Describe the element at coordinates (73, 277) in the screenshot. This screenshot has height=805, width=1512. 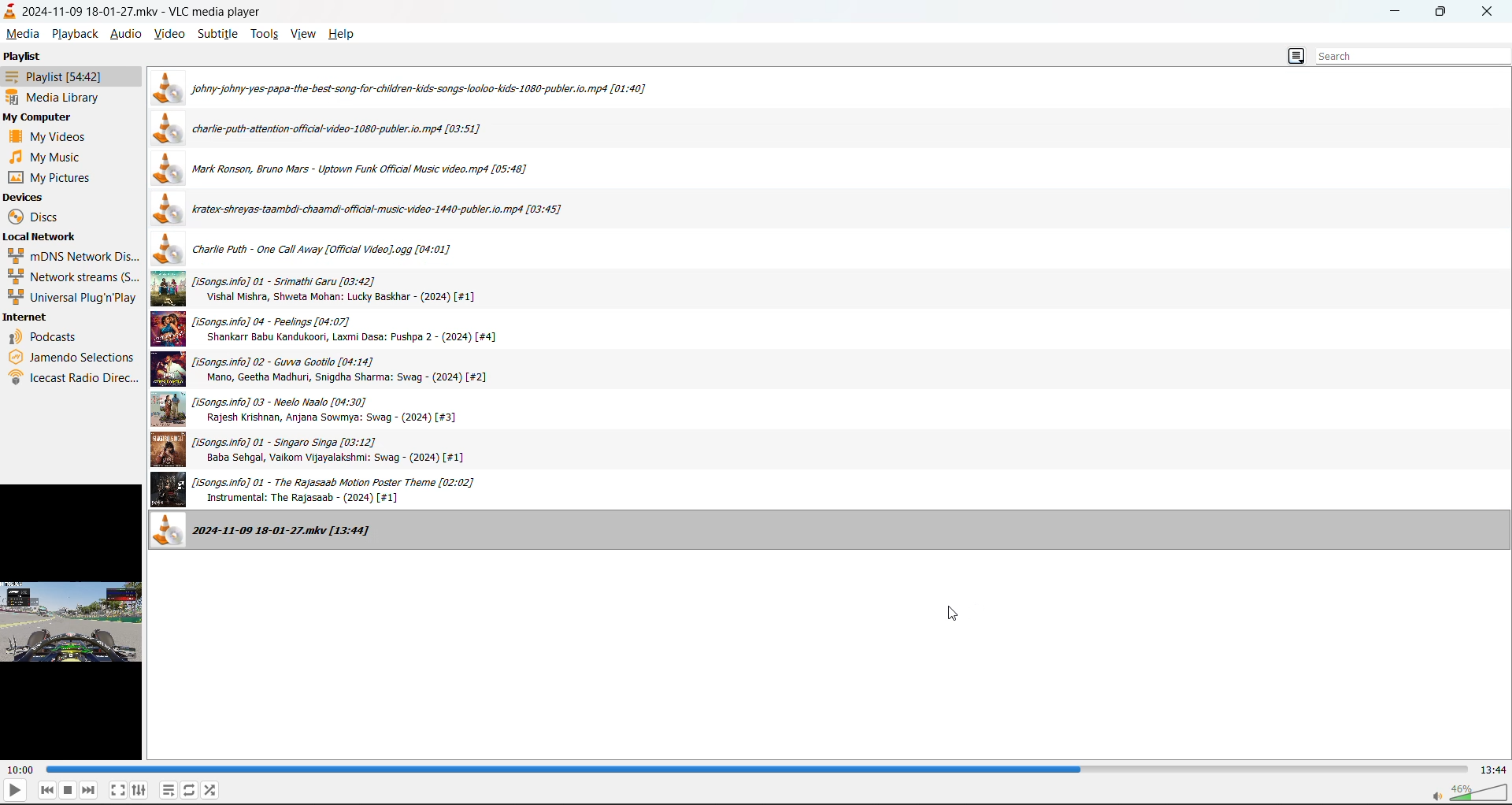
I see `network streams` at that location.